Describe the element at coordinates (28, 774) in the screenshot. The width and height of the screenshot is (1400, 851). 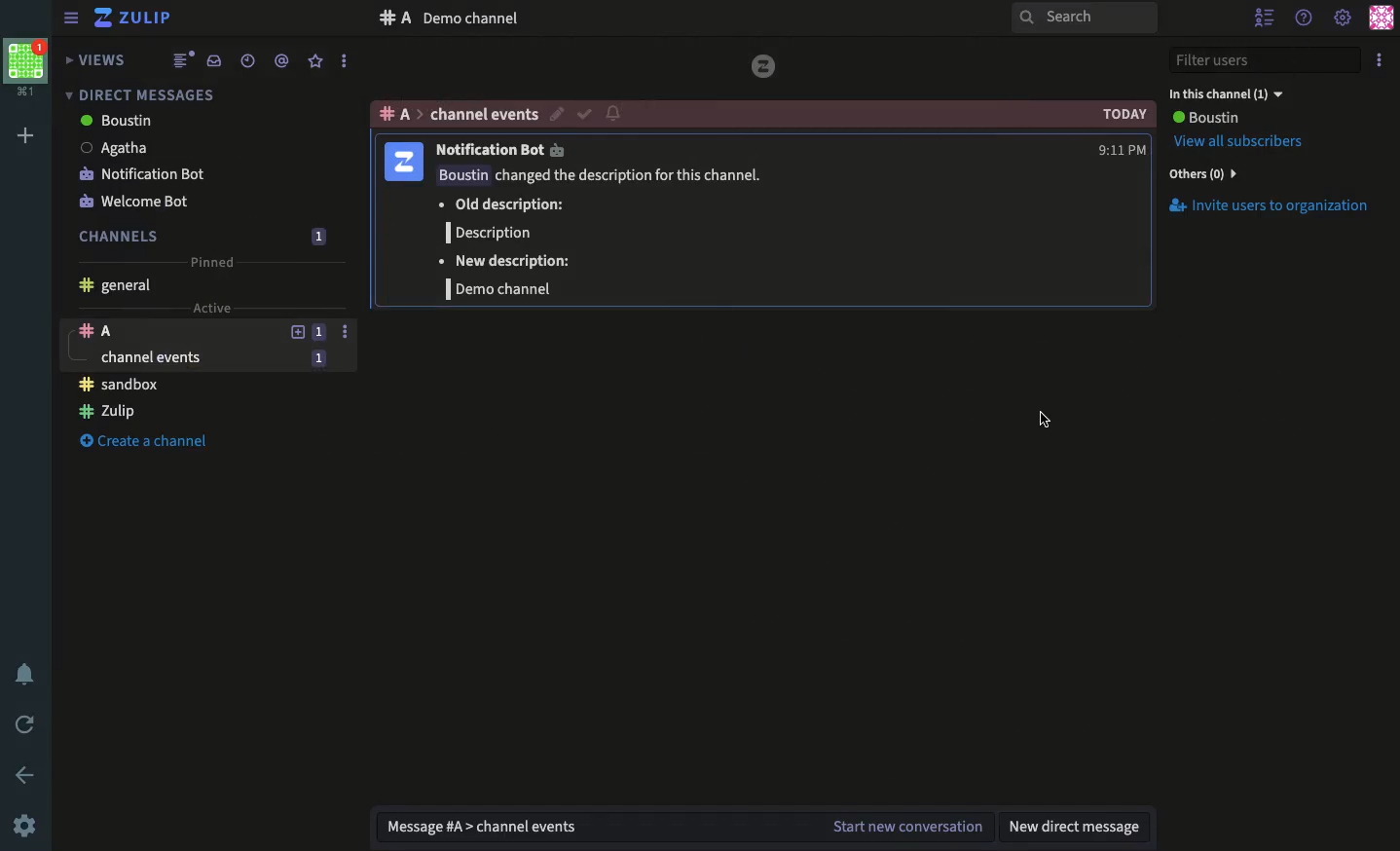
I see `Back` at that location.